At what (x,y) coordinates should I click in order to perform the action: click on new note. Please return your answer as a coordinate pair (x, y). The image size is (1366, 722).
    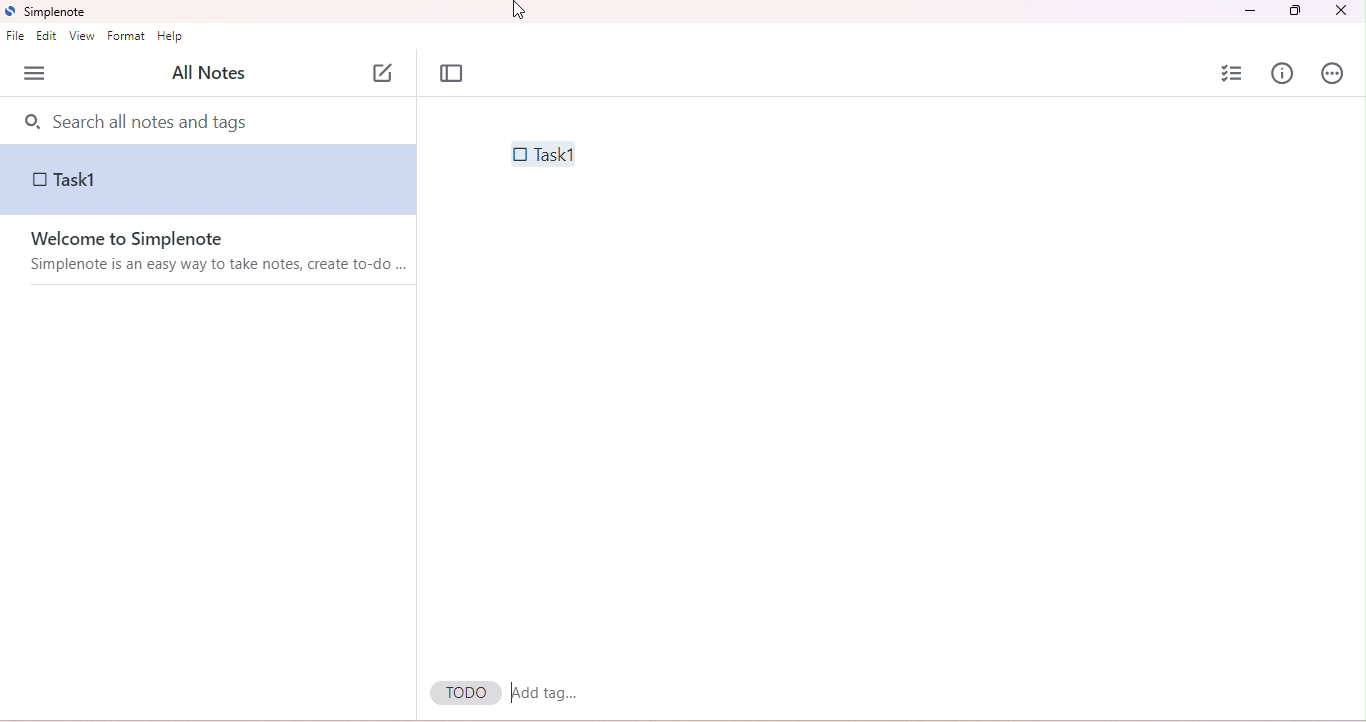
    Looking at the image, I should click on (384, 70).